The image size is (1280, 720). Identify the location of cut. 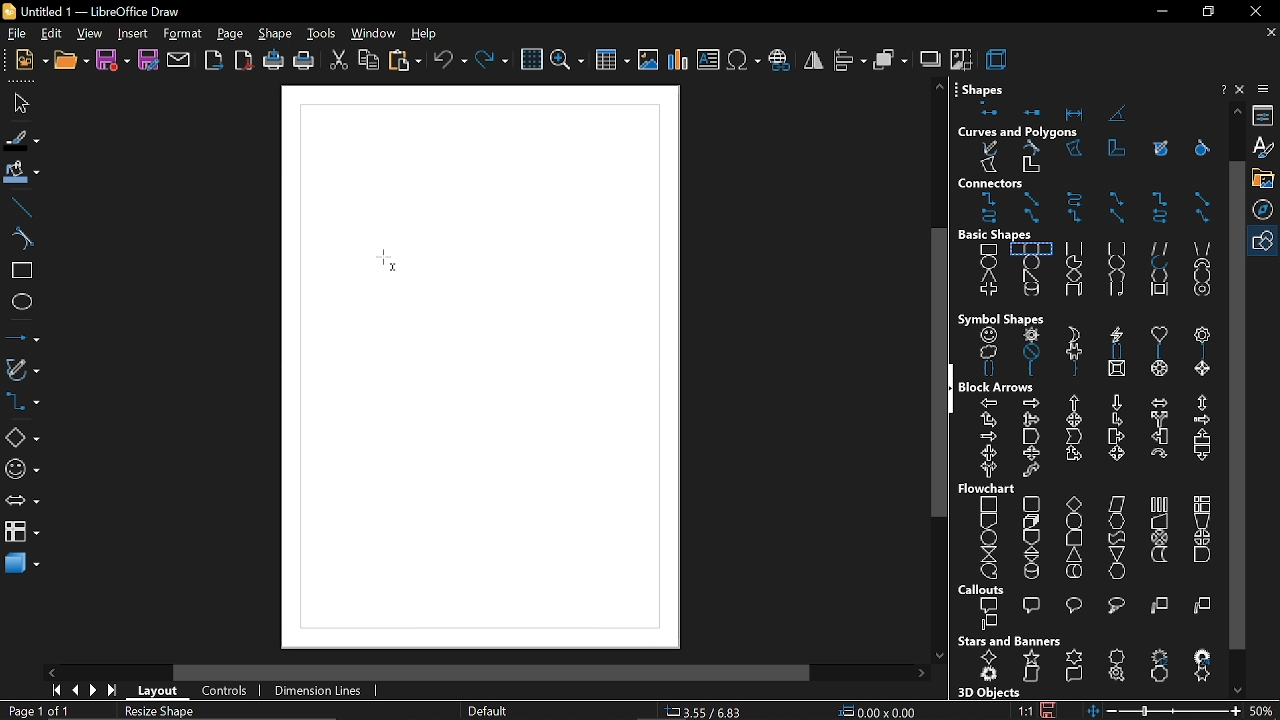
(339, 63).